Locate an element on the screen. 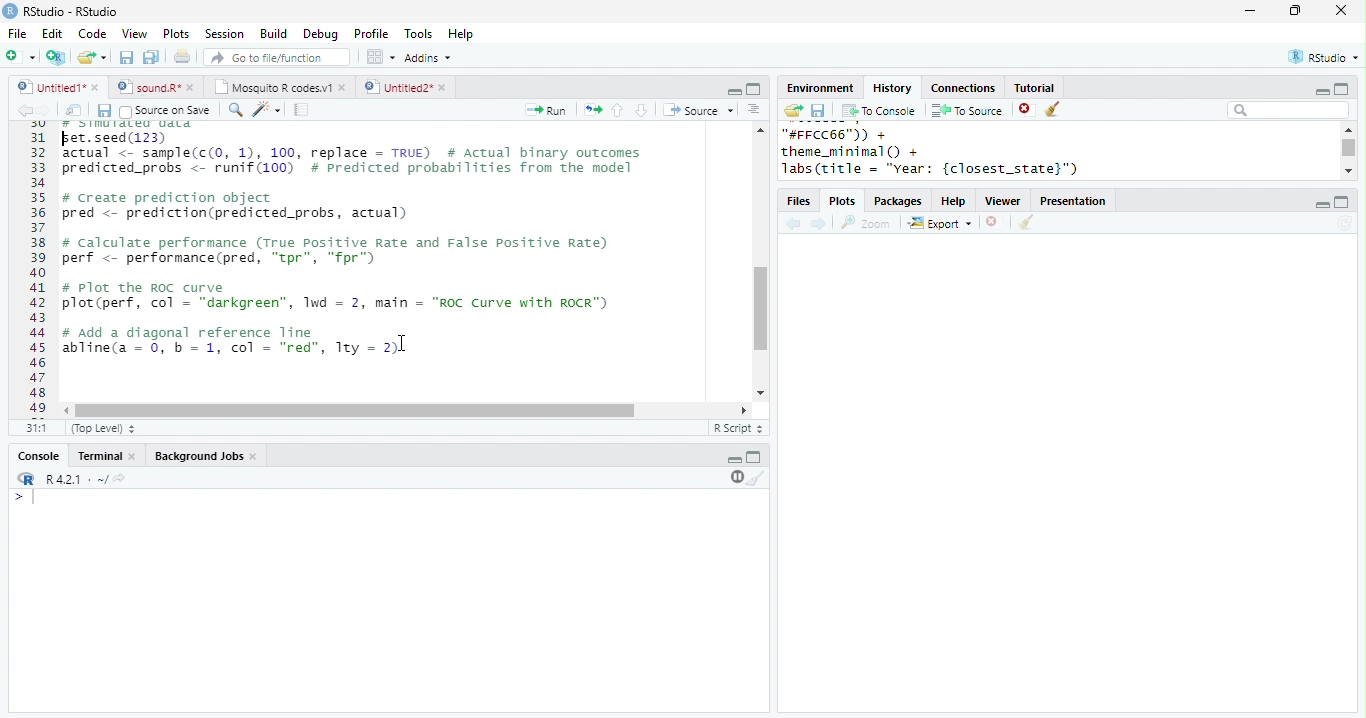  line numbering is located at coordinates (40, 269).